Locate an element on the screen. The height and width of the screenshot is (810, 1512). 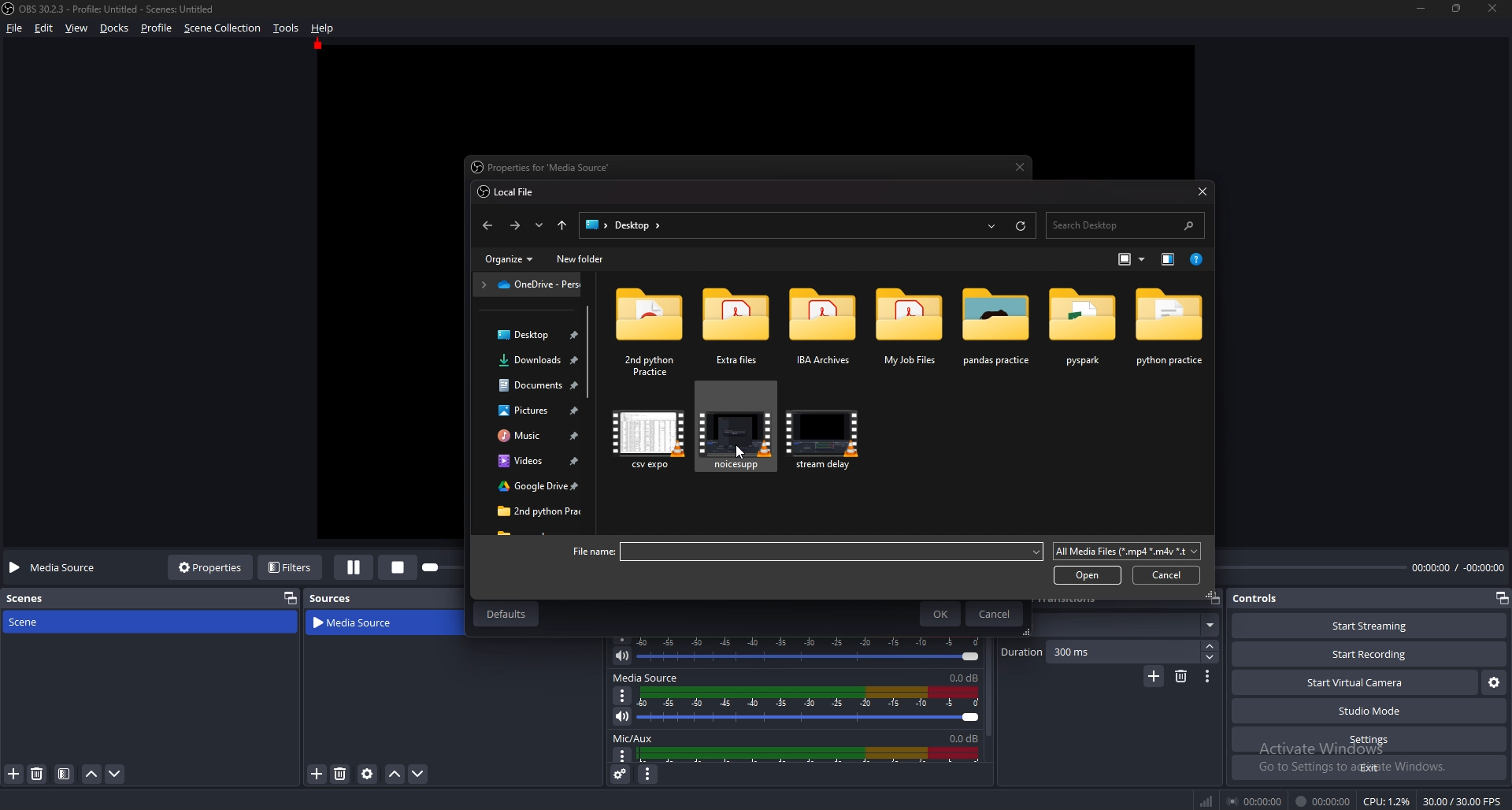
Studio mode is located at coordinates (1370, 711).